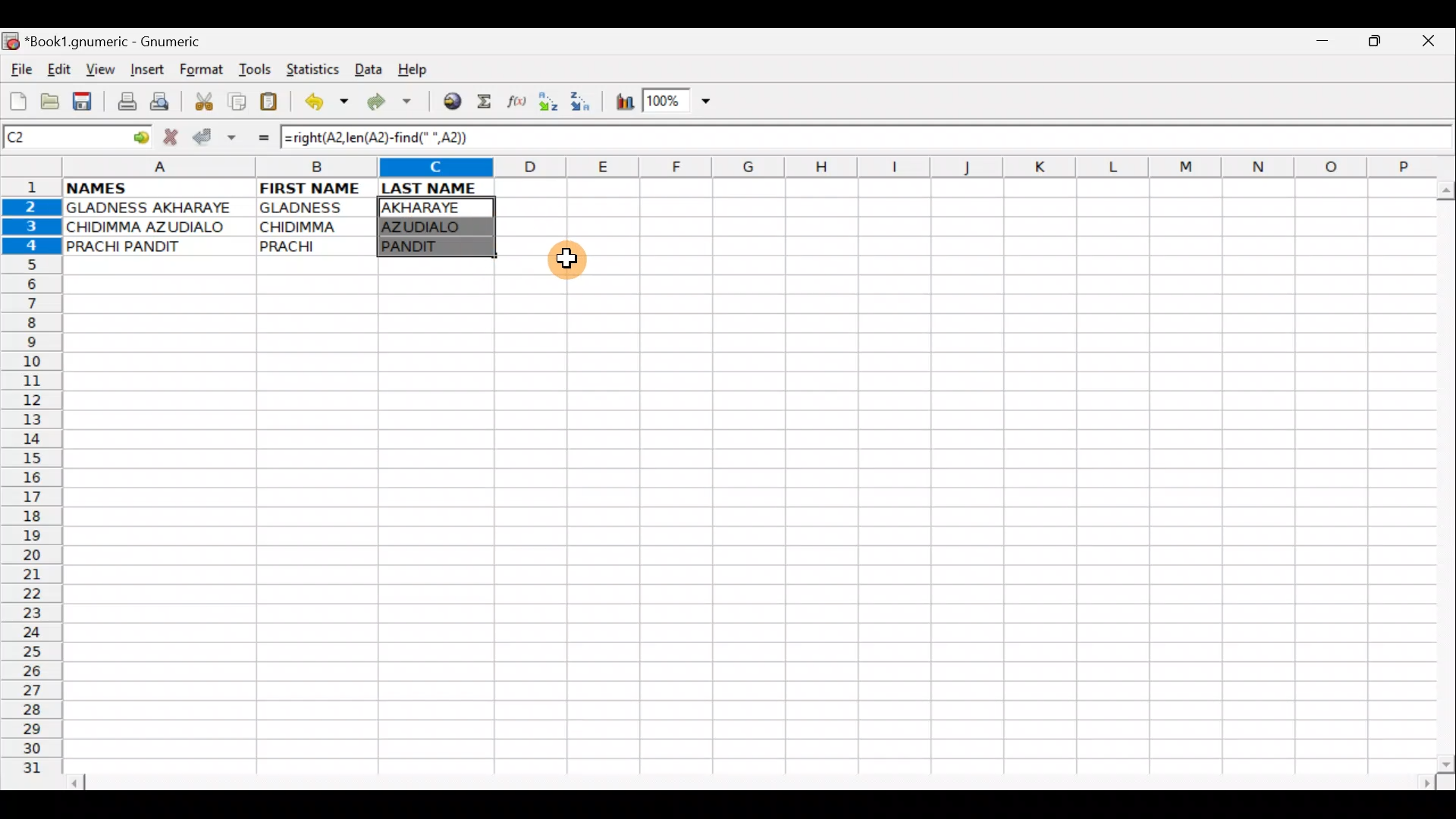 The image size is (1456, 819). I want to click on Enter formula, so click(256, 137).